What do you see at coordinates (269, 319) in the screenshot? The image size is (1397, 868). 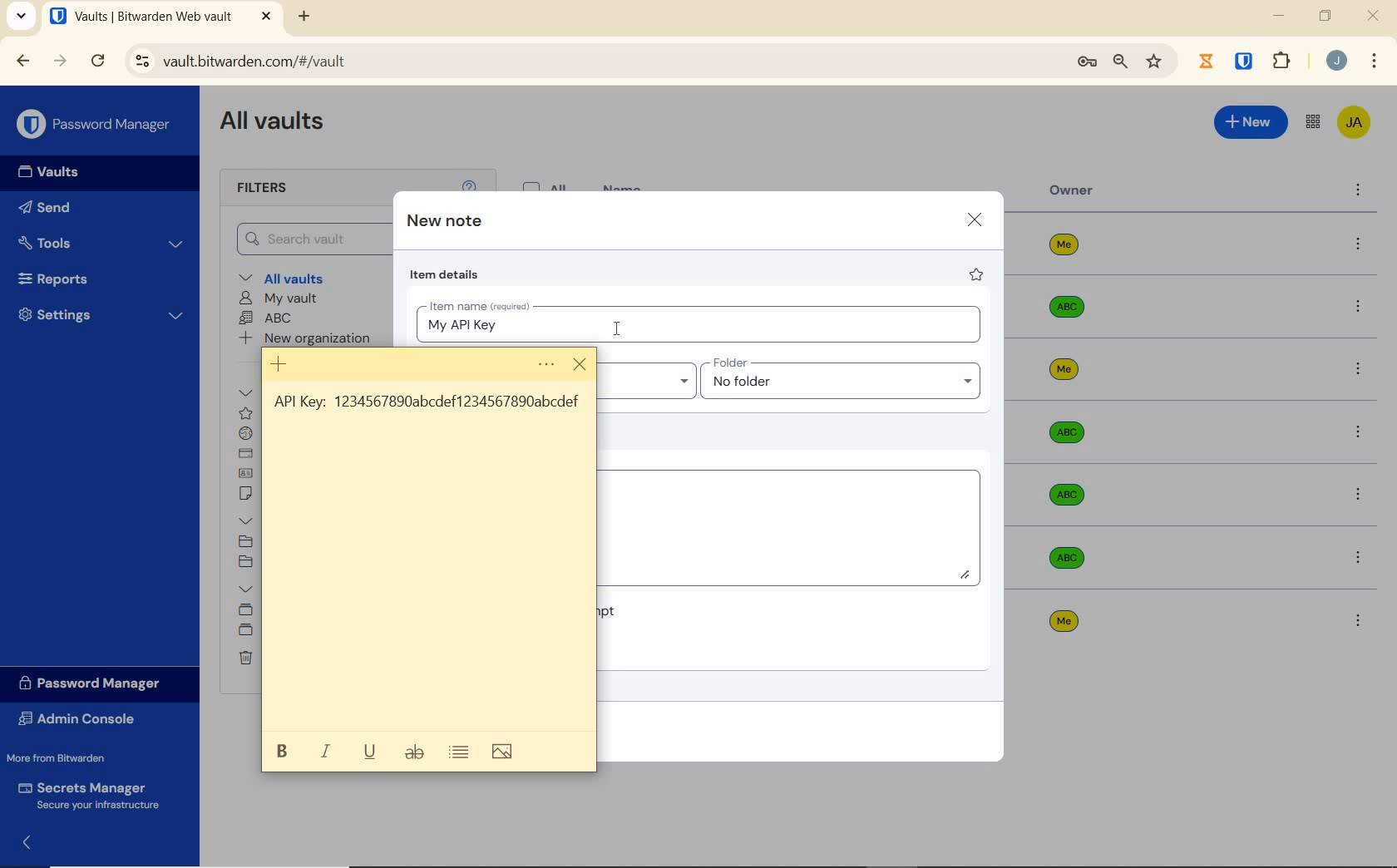 I see `ABC` at bounding box center [269, 319].